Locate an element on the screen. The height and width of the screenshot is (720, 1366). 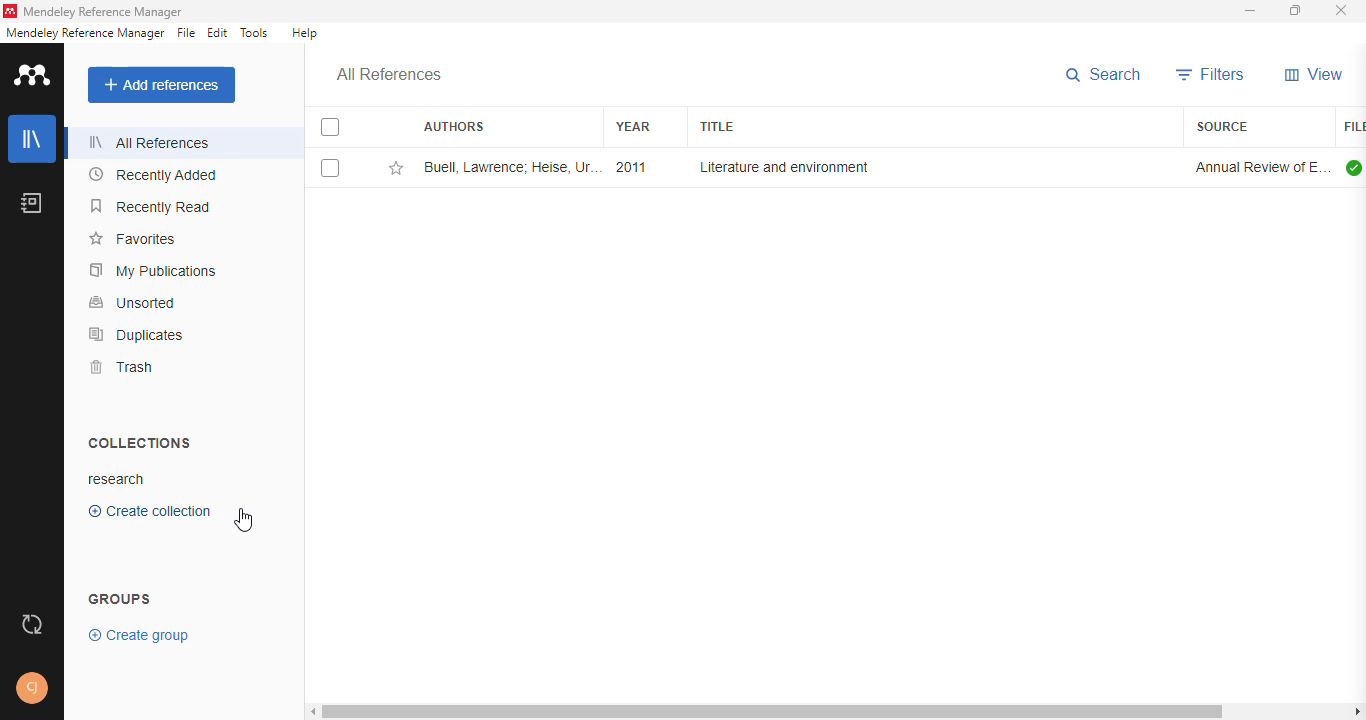
library is located at coordinates (31, 139).